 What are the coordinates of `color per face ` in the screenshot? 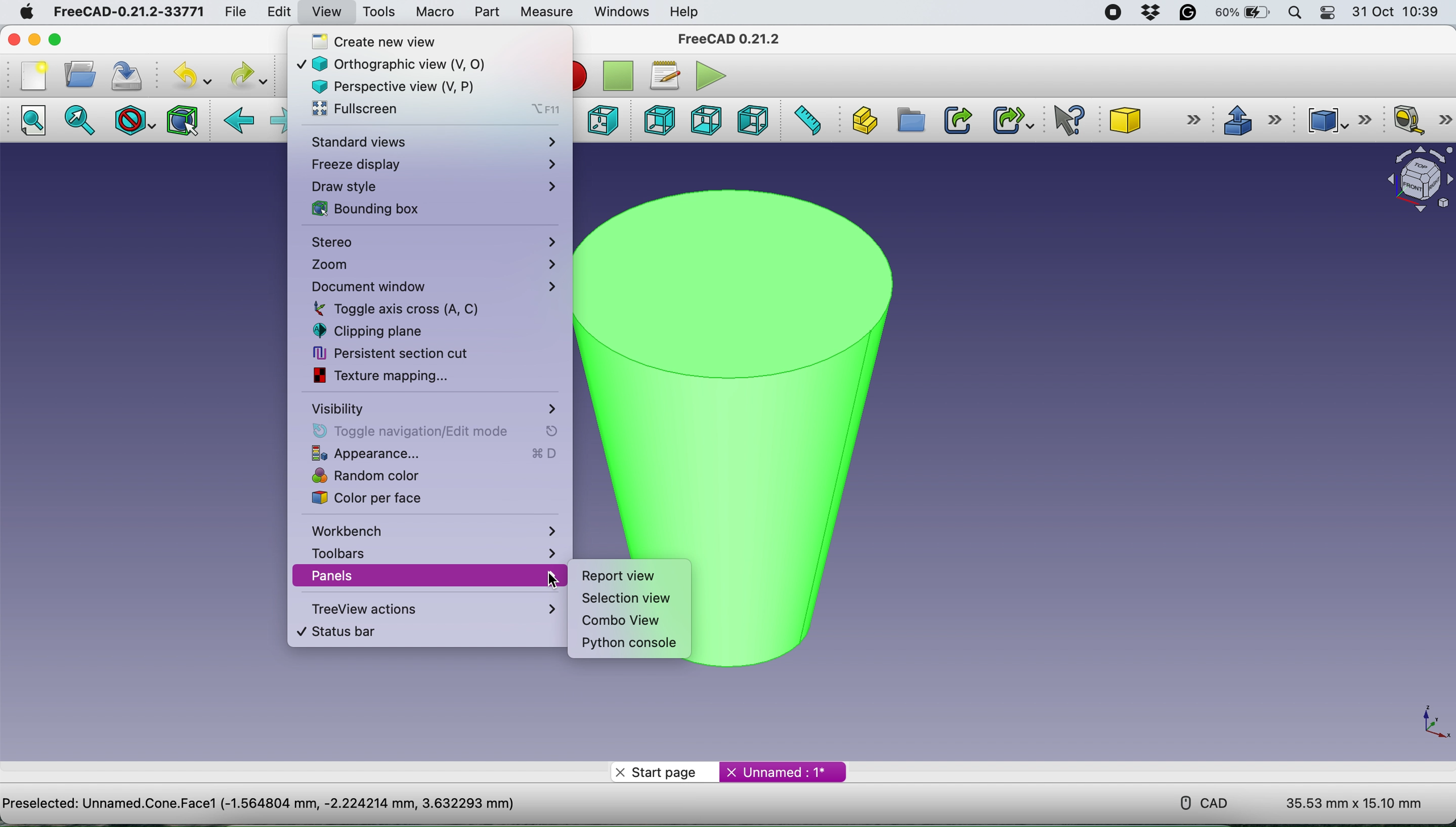 It's located at (412, 498).